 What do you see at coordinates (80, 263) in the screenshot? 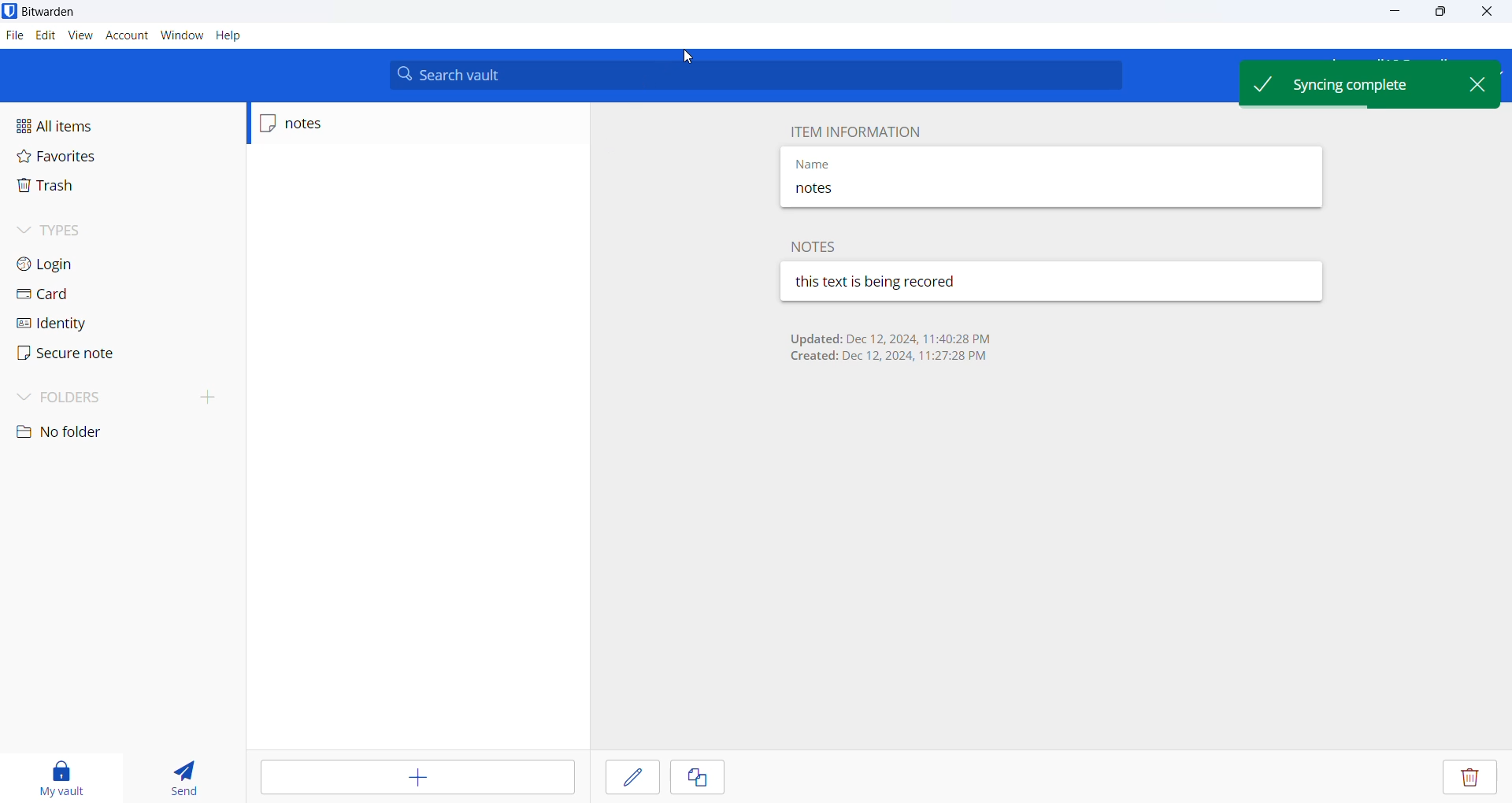
I see `login` at bounding box center [80, 263].